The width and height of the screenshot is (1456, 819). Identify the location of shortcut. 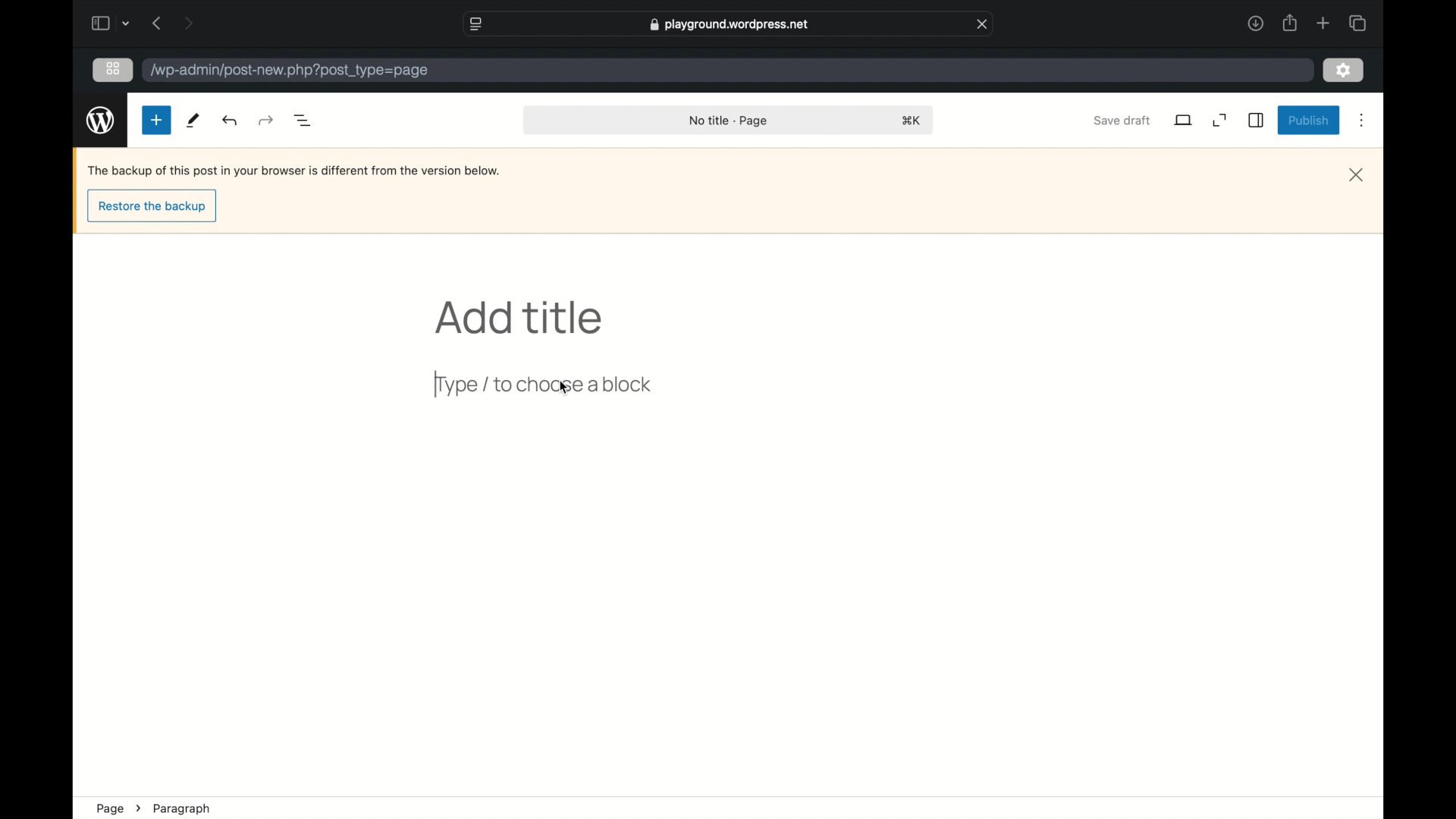
(912, 121).